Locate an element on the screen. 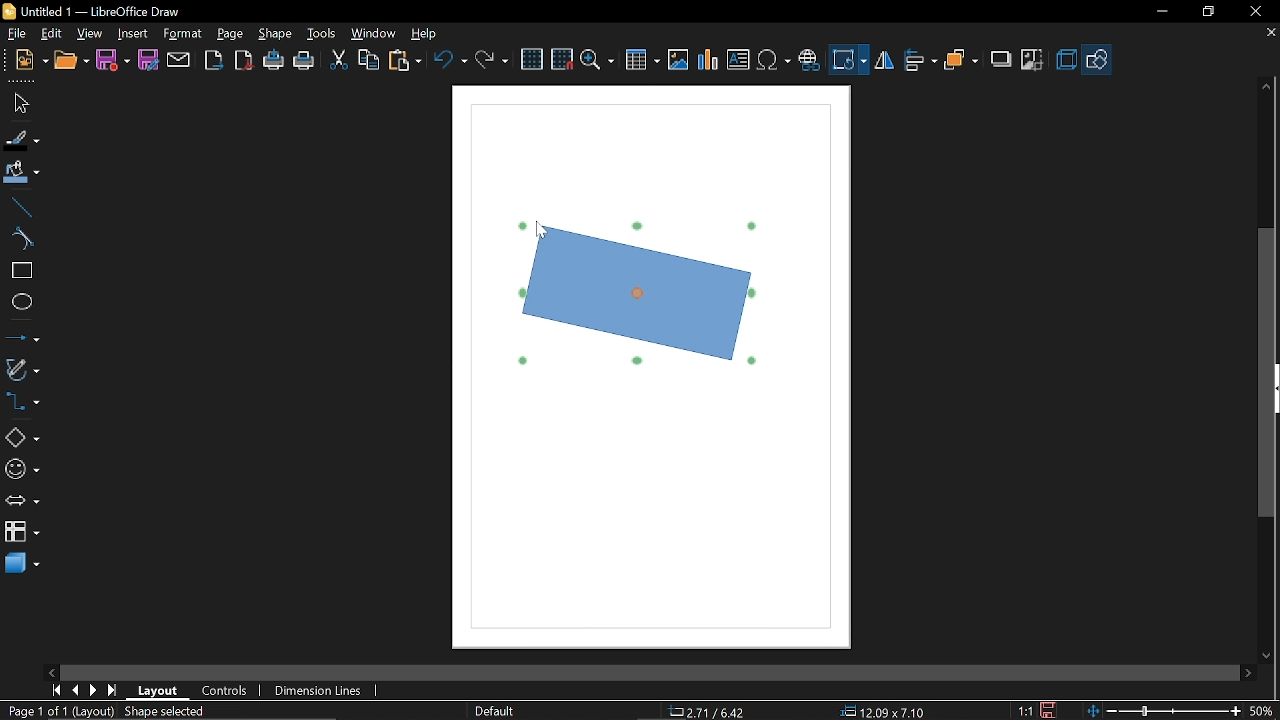  shape is located at coordinates (276, 35).